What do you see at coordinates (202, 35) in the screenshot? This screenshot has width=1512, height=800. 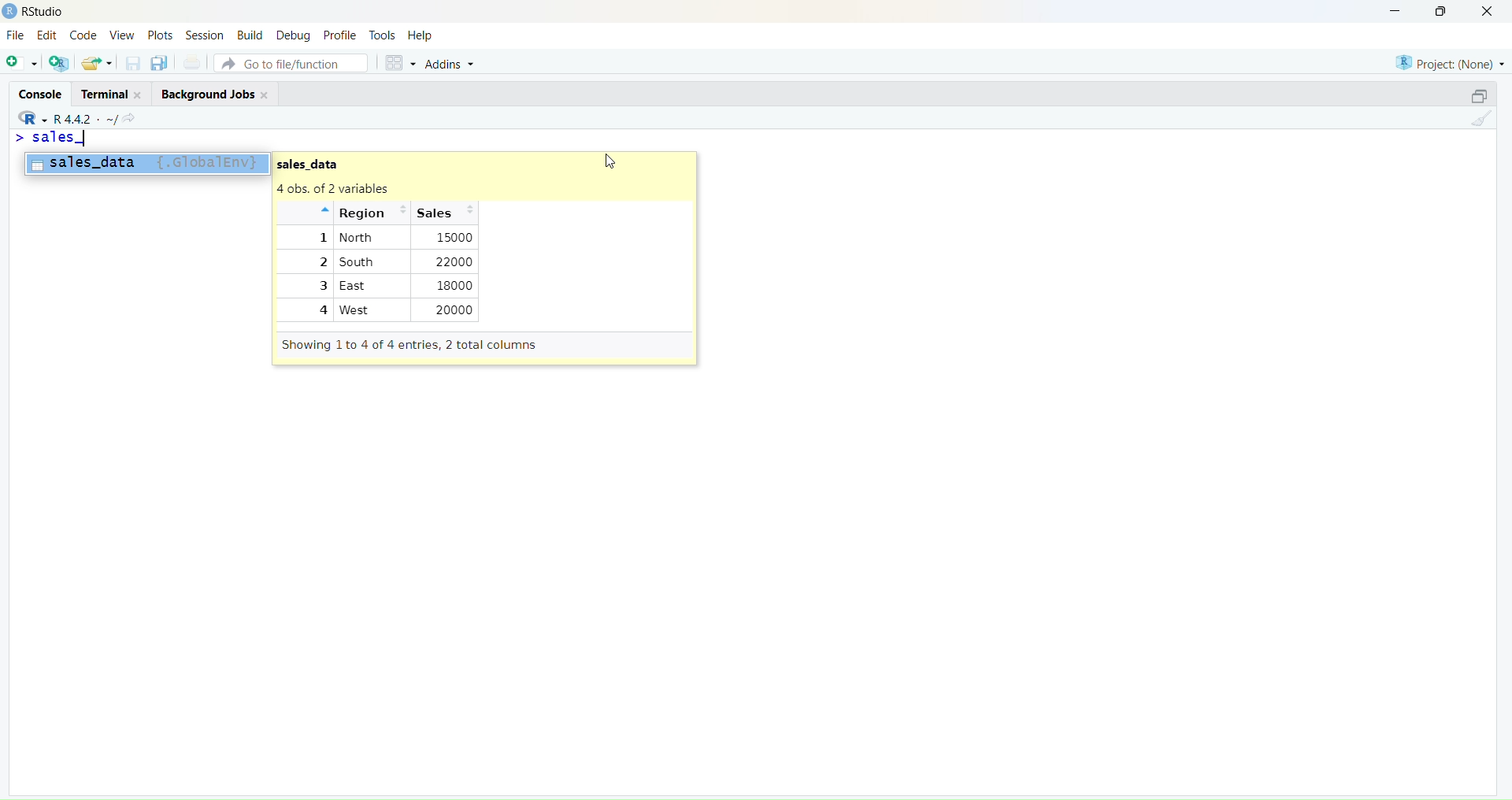 I see `Session` at bounding box center [202, 35].